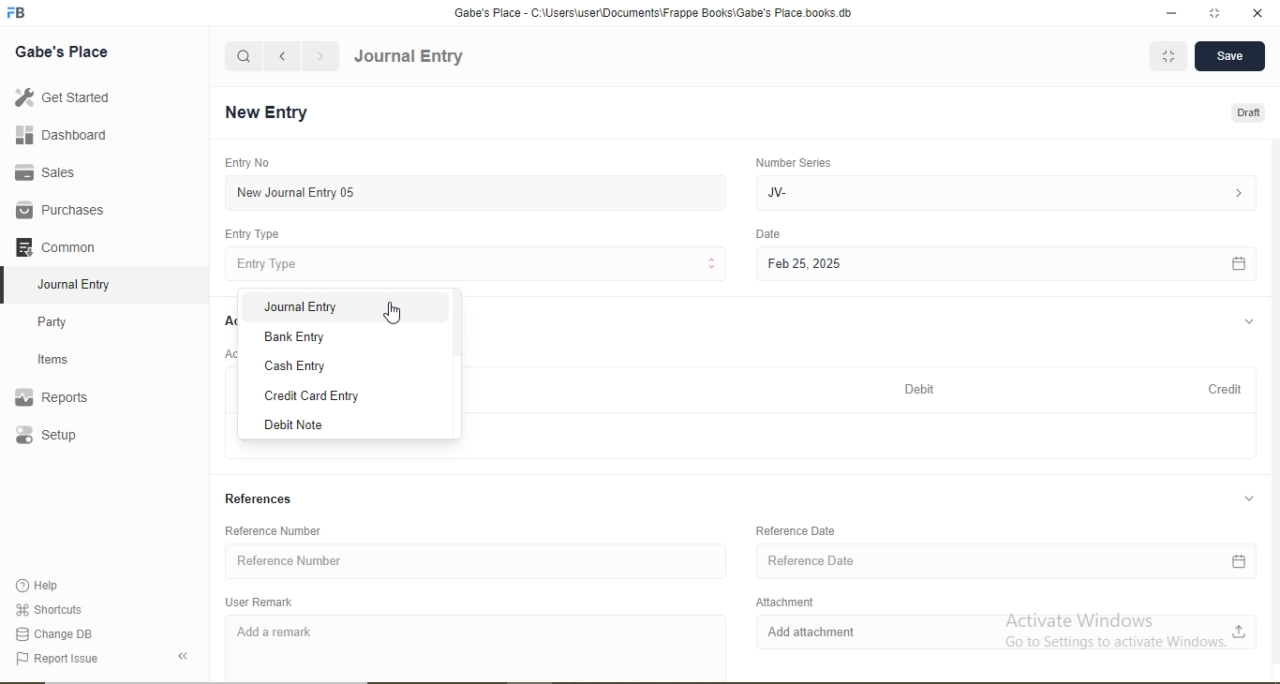 The width and height of the screenshot is (1280, 684). Describe the element at coordinates (781, 600) in the screenshot. I see `Attachment` at that location.